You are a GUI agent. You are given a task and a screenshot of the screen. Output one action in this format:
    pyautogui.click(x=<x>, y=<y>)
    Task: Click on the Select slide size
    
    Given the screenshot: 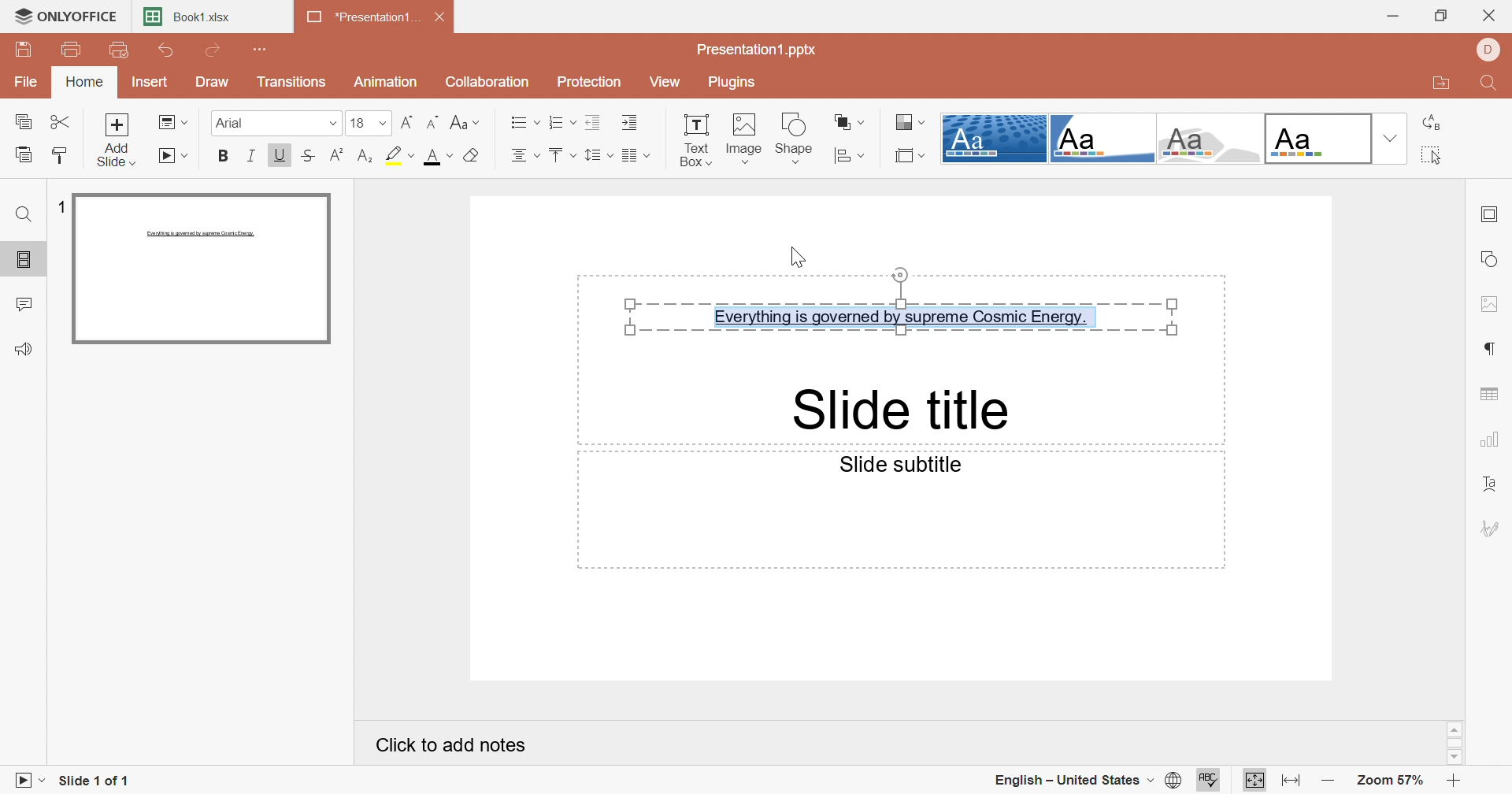 What is the action you would take?
    pyautogui.click(x=910, y=154)
    